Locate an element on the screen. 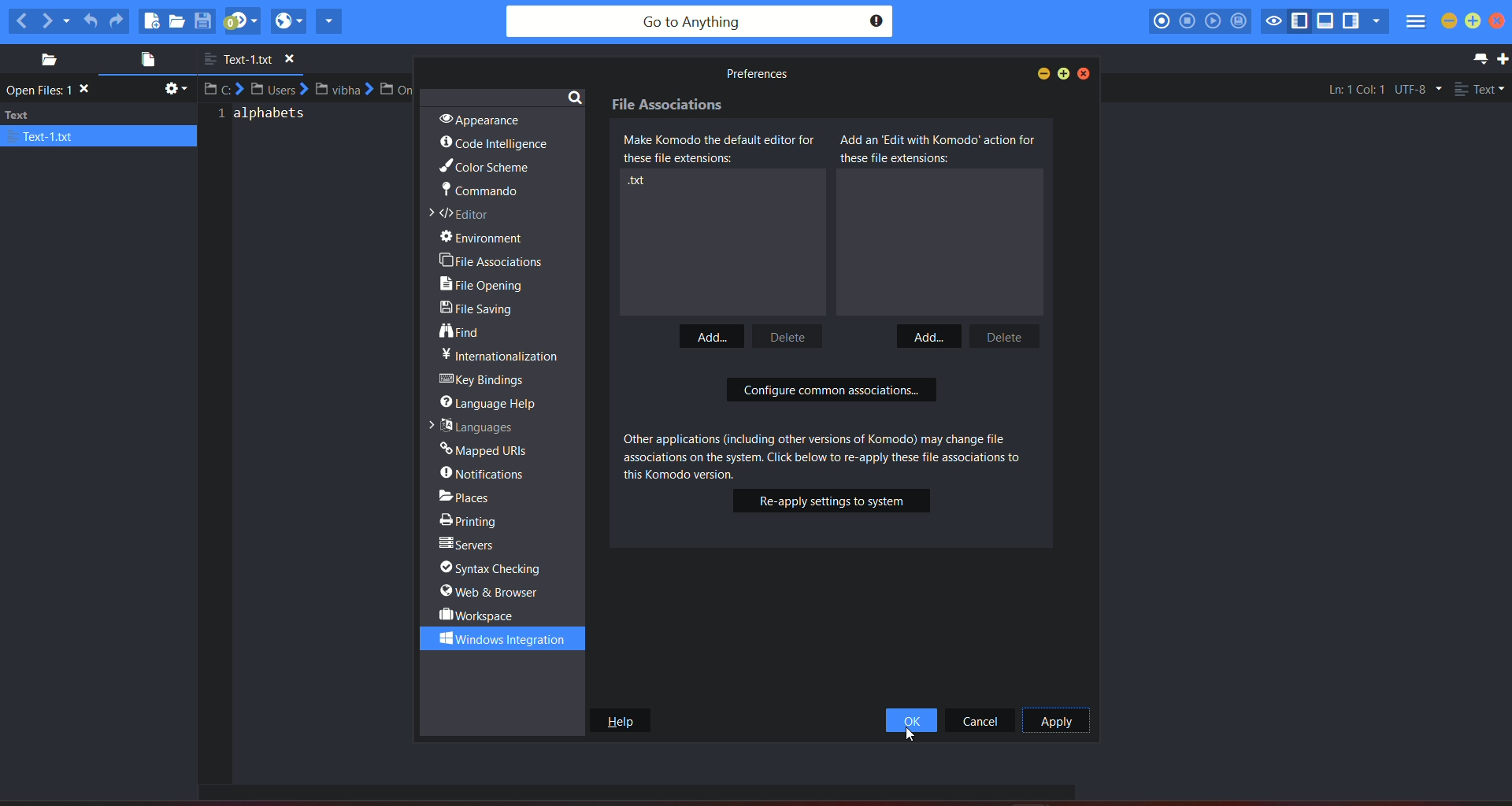  share current file is located at coordinates (329, 20).